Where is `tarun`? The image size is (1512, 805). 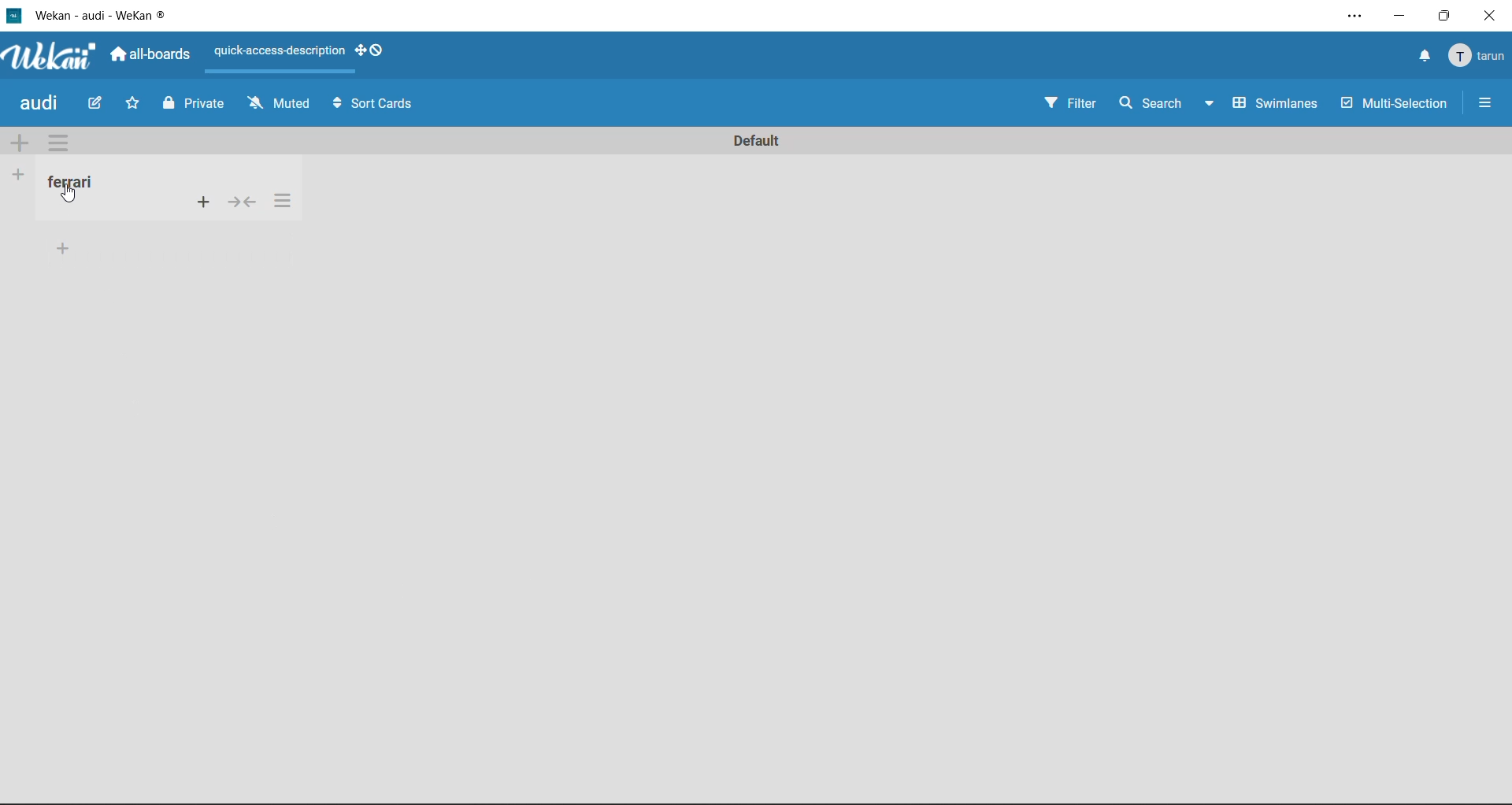 tarun is located at coordinates (1479, 59).